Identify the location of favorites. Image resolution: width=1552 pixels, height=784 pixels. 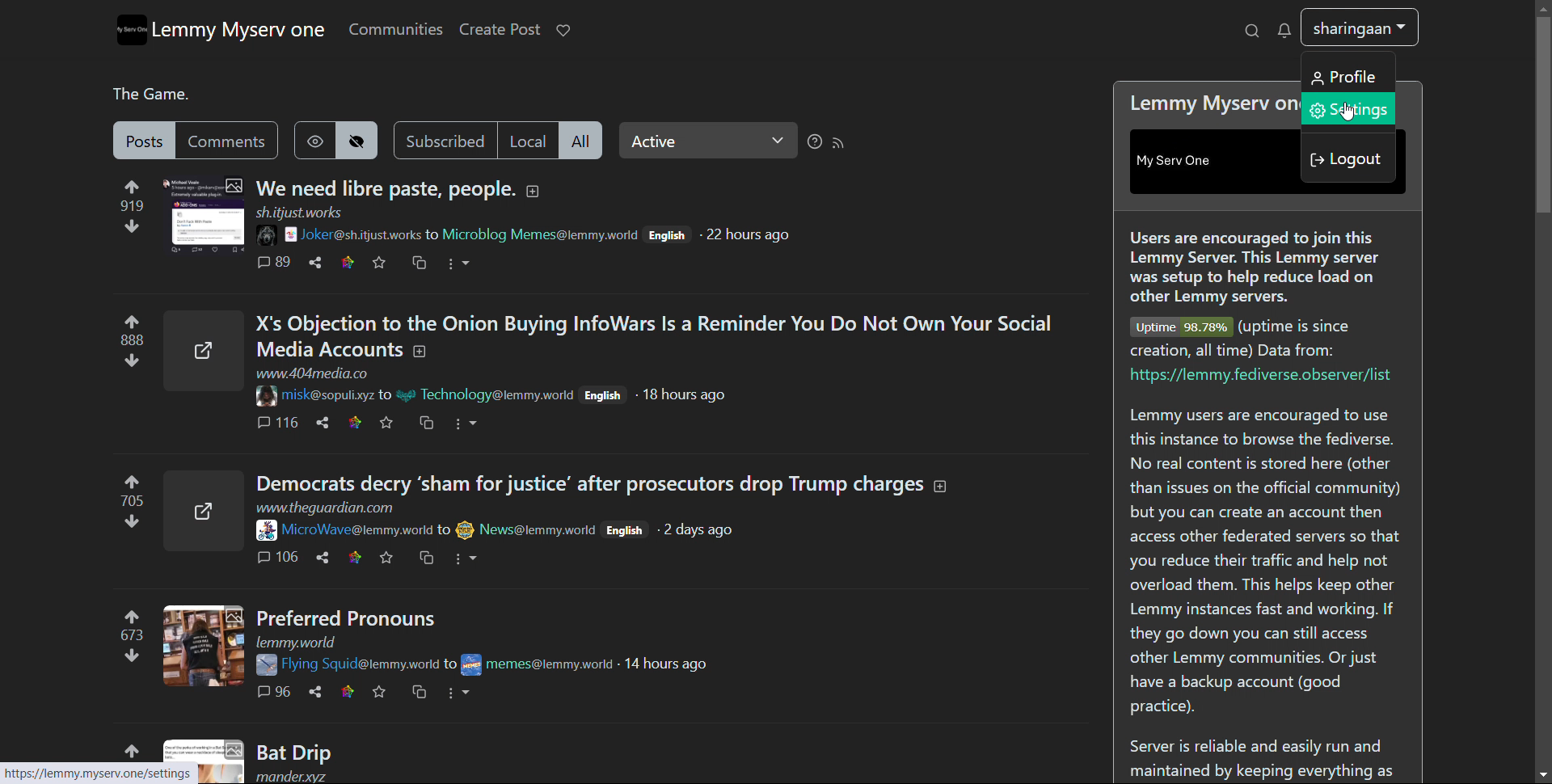
(386, 690).